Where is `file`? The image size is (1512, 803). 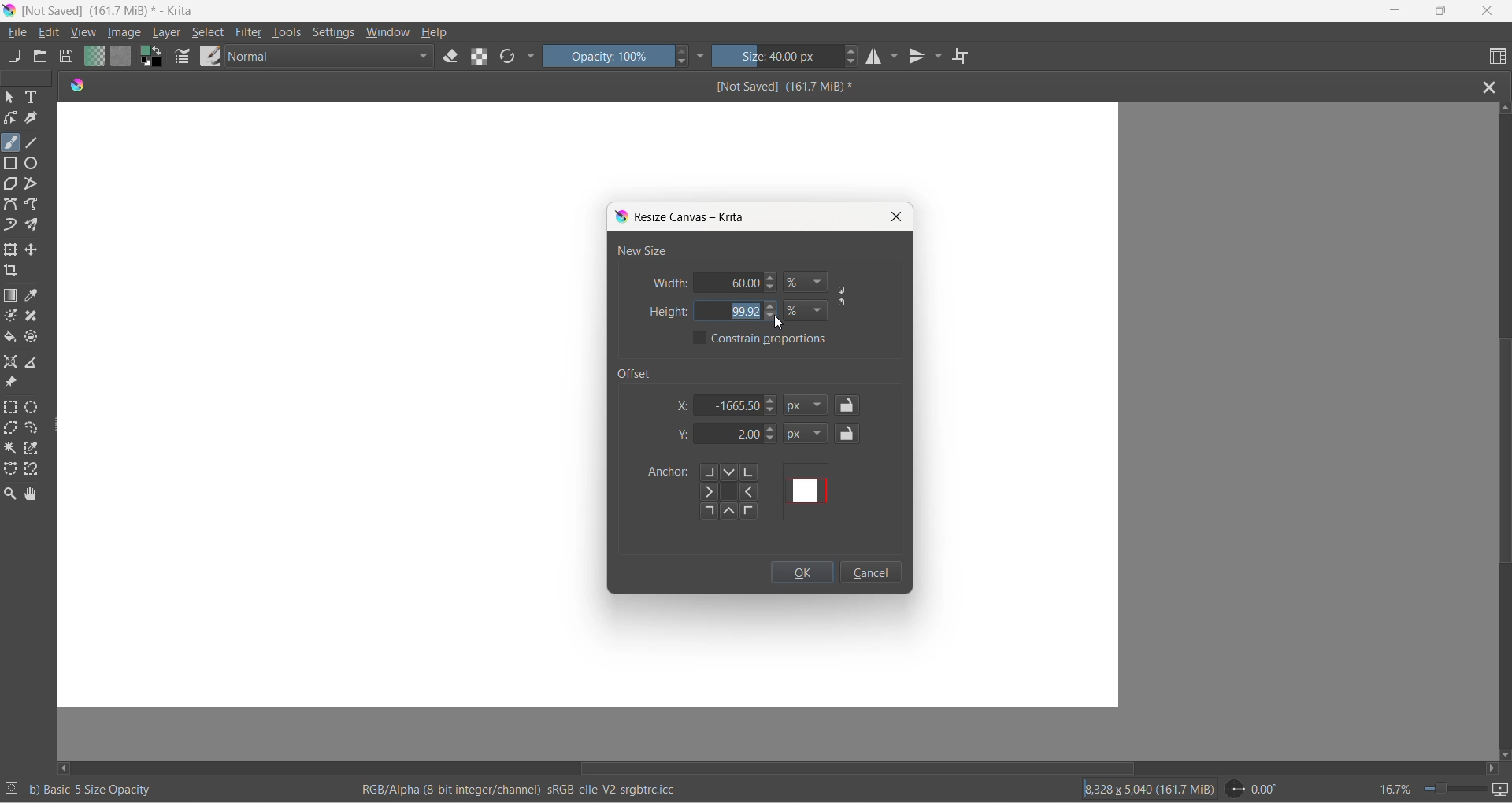
file is located at coordinates (20, 33).